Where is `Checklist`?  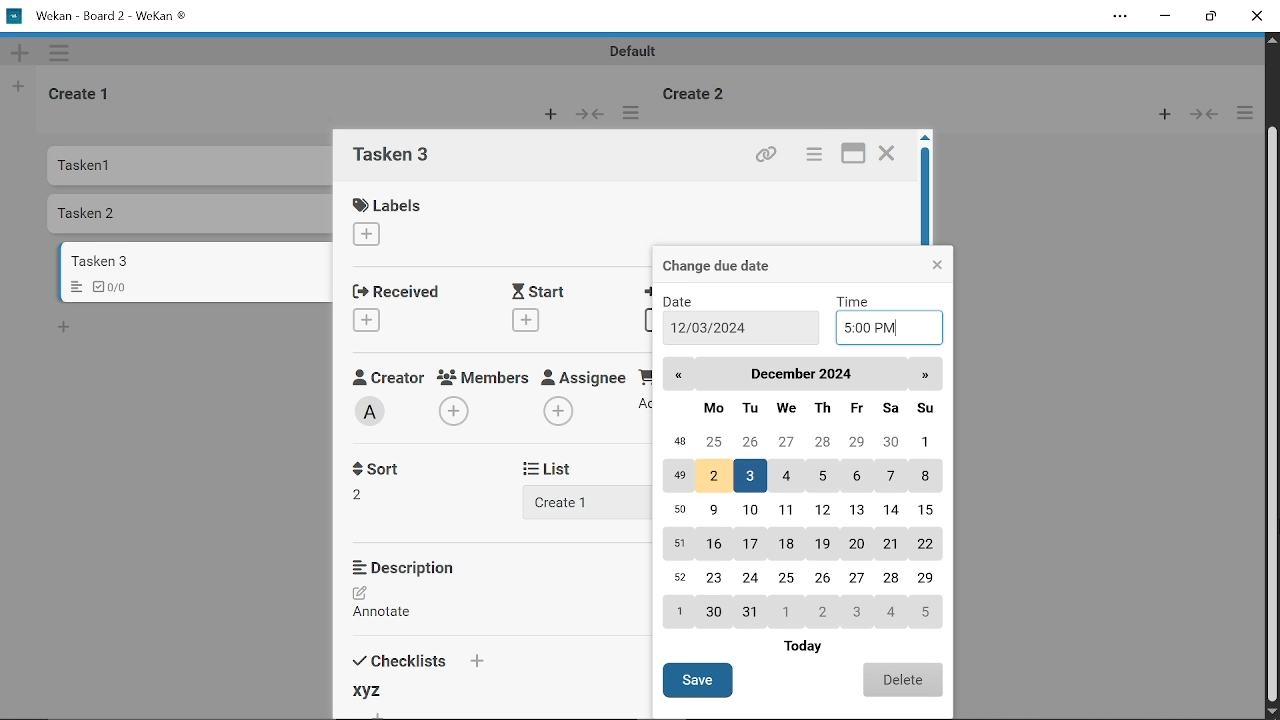
Checklist is located at coordinates (117, 286).